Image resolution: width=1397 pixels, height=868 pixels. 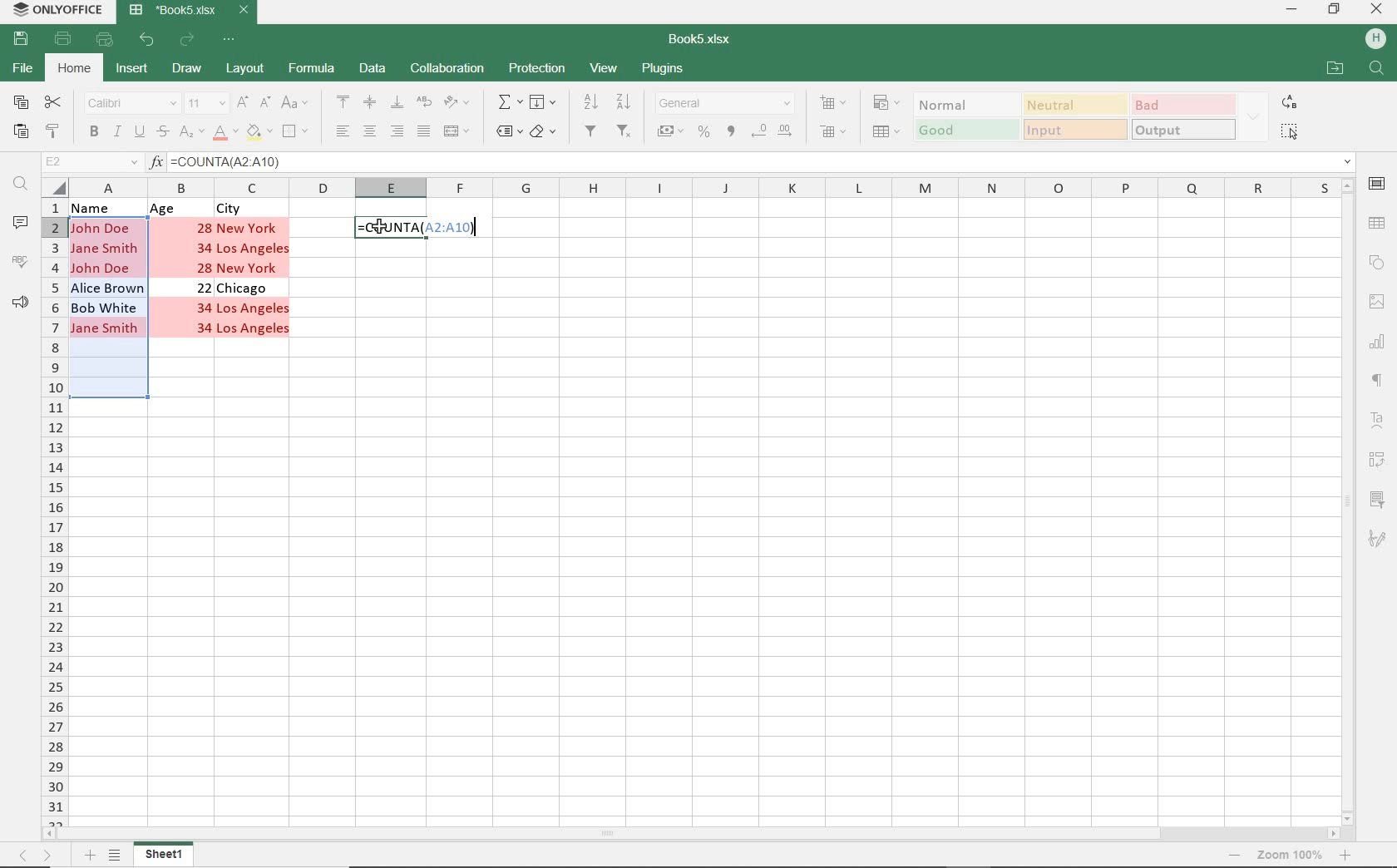 I want to click on ALIGN RIGHT, so click(x=397, y=133).